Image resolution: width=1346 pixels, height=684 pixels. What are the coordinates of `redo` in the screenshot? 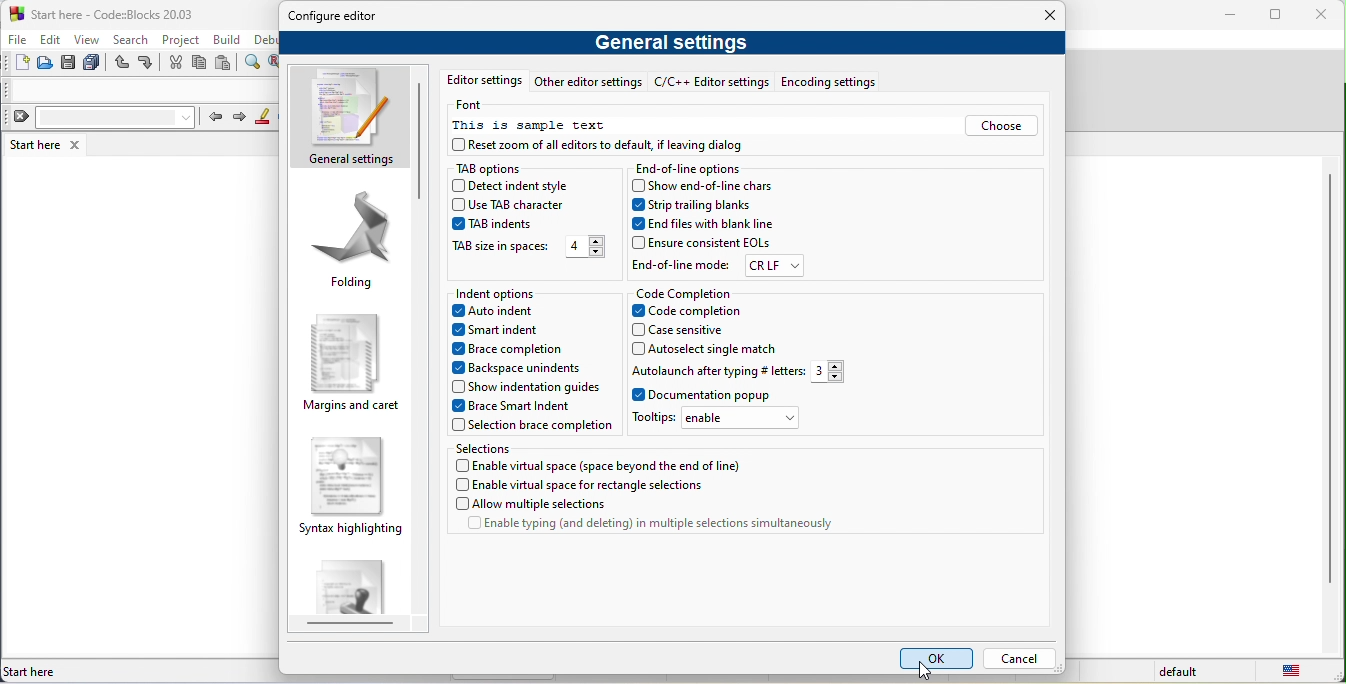 It's located at (150, 64).